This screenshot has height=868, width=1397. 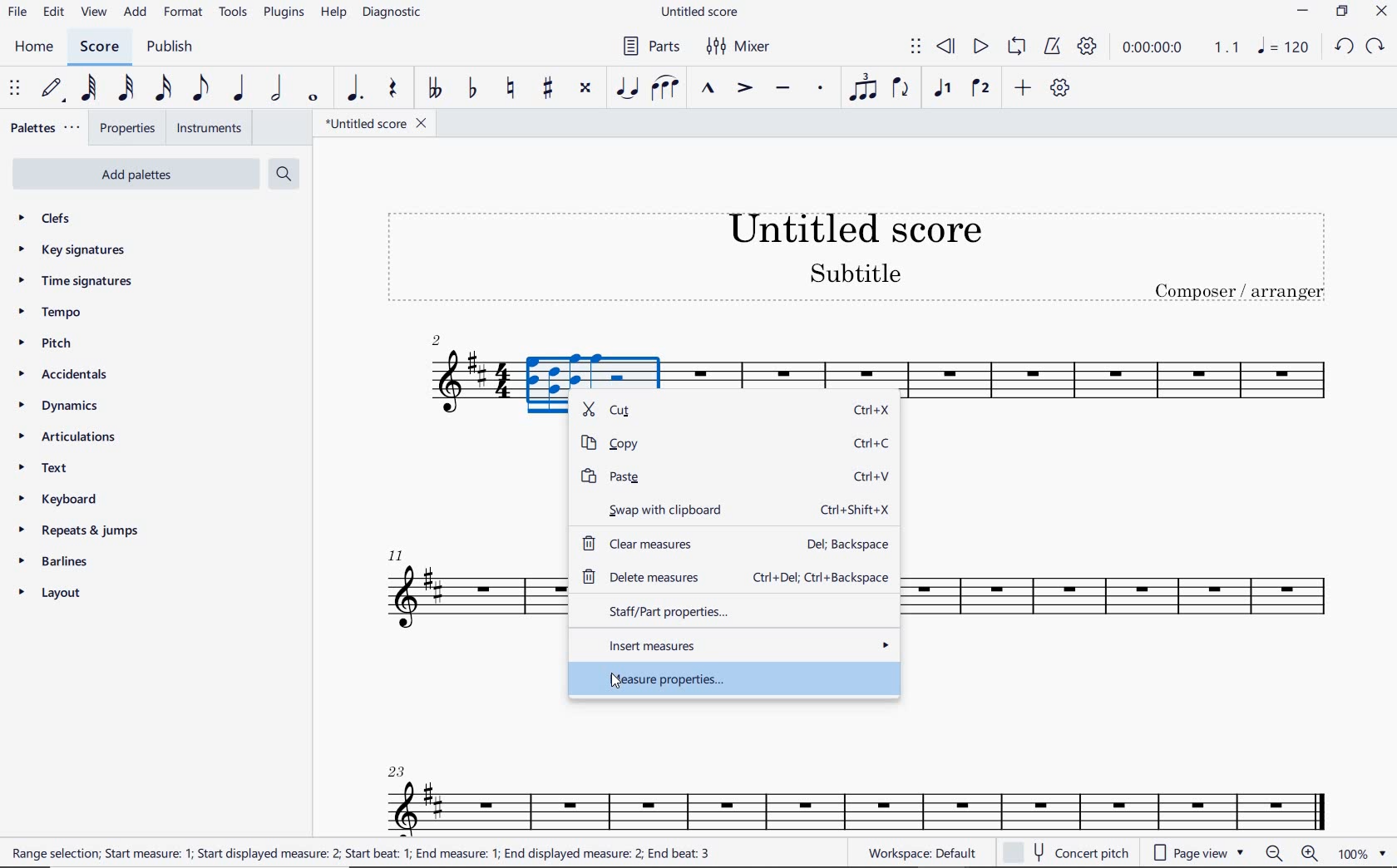 What do you see at coordinates (234, 15) in the screenshot?
I see `TOOLS` at bounding box center [234, 15].